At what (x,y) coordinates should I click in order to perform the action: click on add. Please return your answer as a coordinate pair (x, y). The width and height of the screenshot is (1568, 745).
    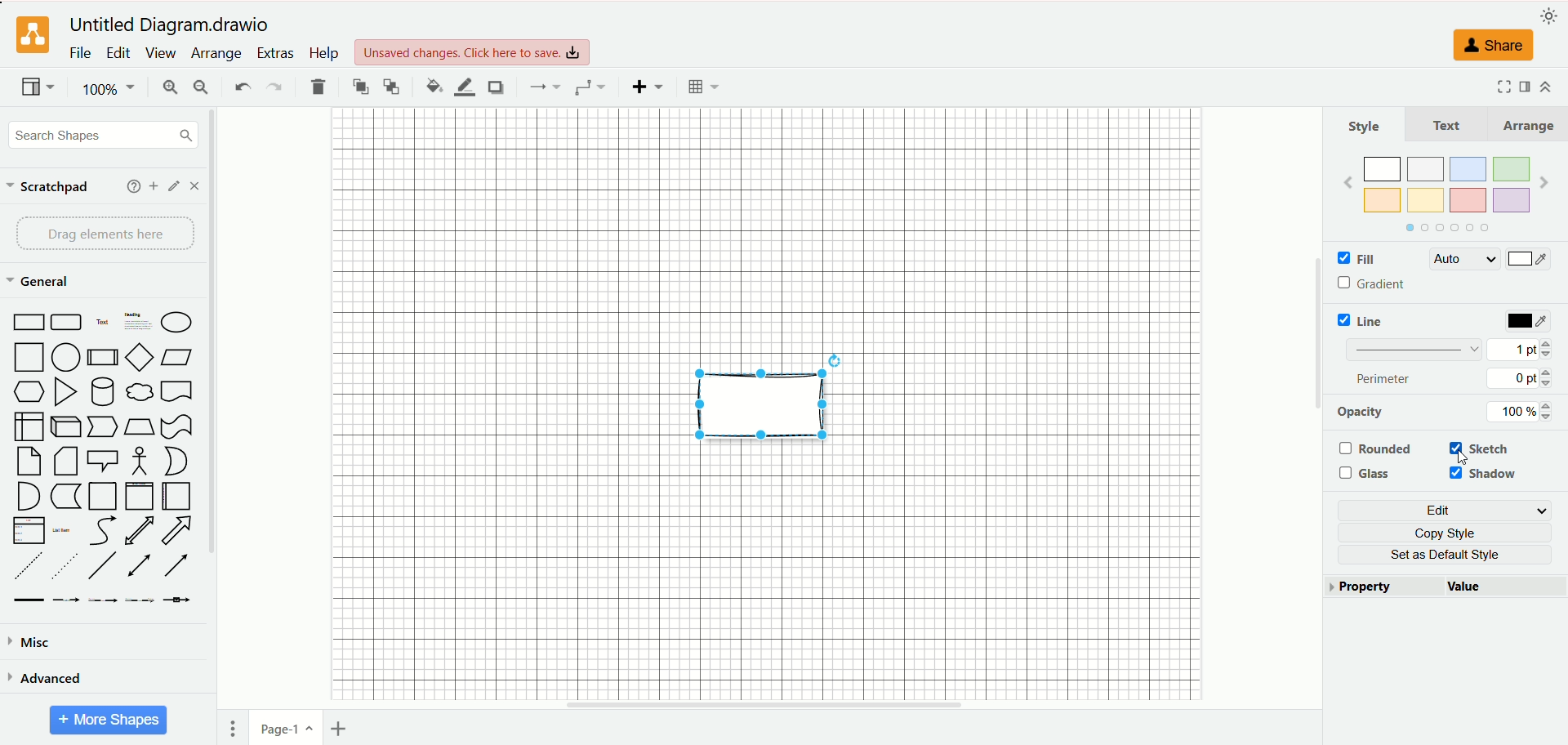
    Looking at the image, I should click on (154, 186).